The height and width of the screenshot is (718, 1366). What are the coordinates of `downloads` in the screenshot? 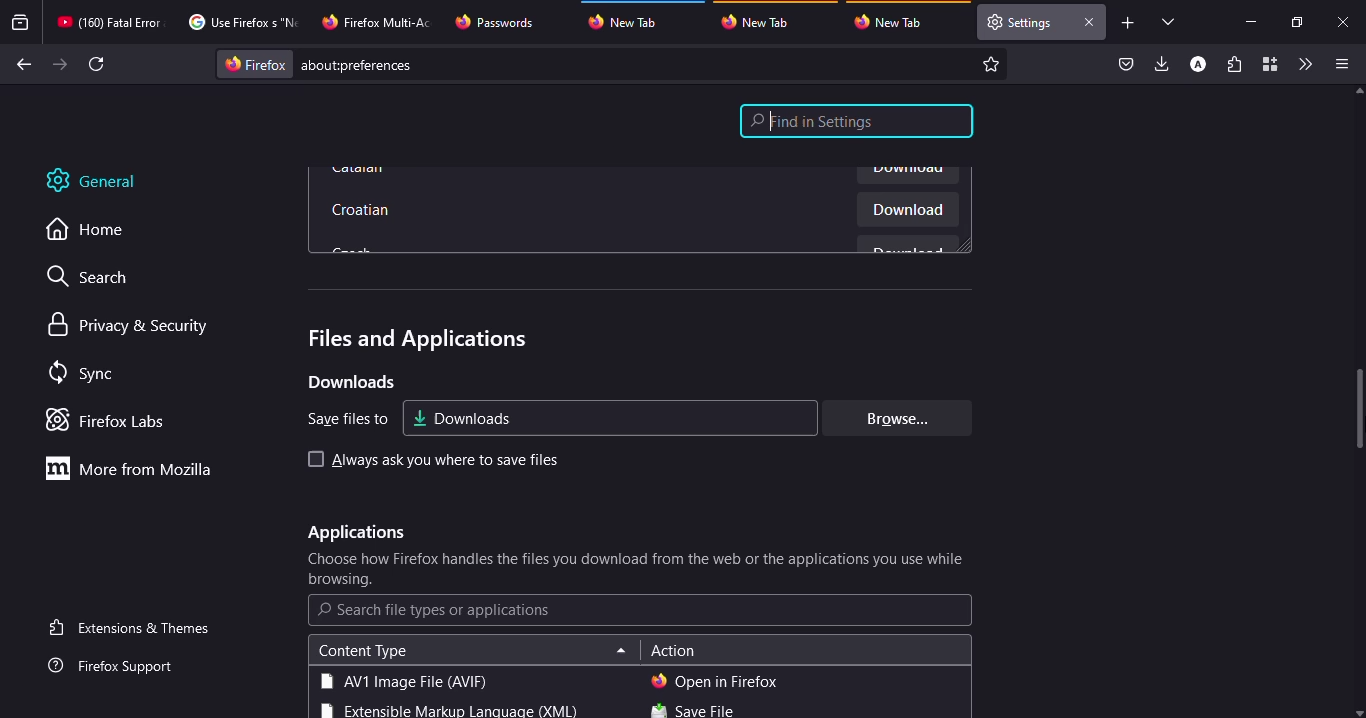 It's located at (464, 417).